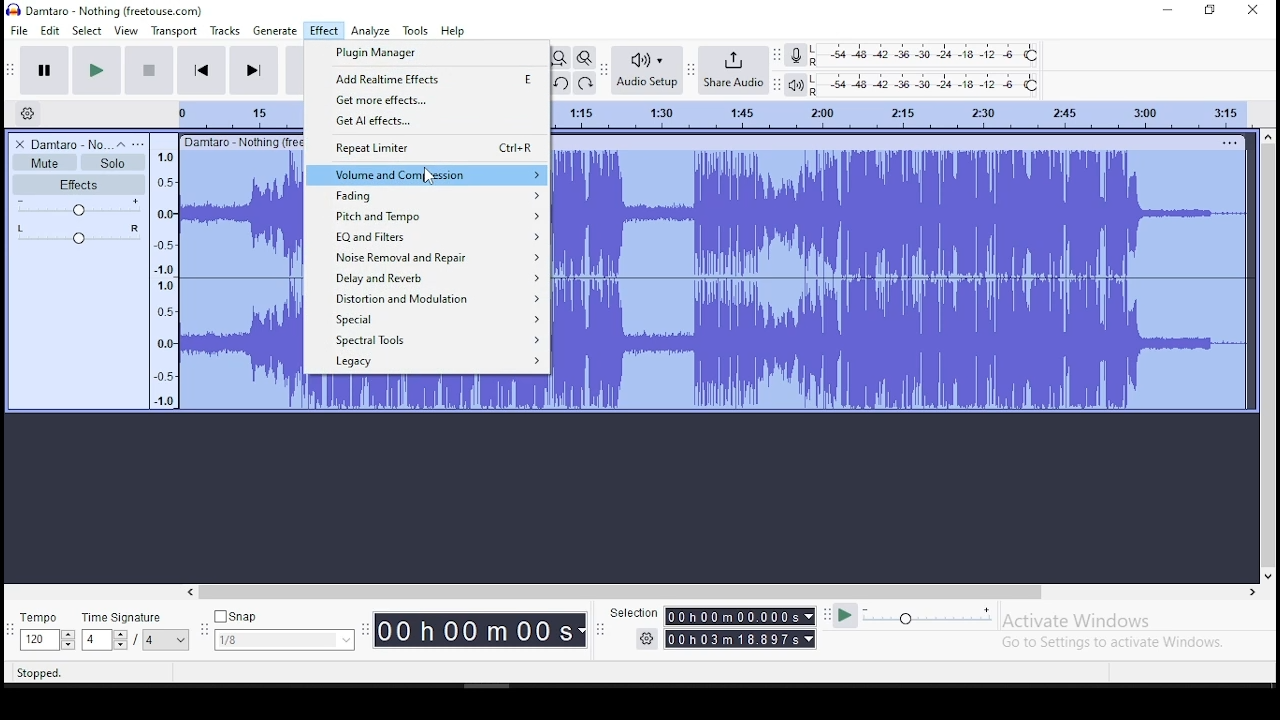 The height and width of the screenshot is (720, 1280). What do you see at coordinates (724, 593) in the screenshot?
I see `scroll bar` at bounding box center [724, 593].